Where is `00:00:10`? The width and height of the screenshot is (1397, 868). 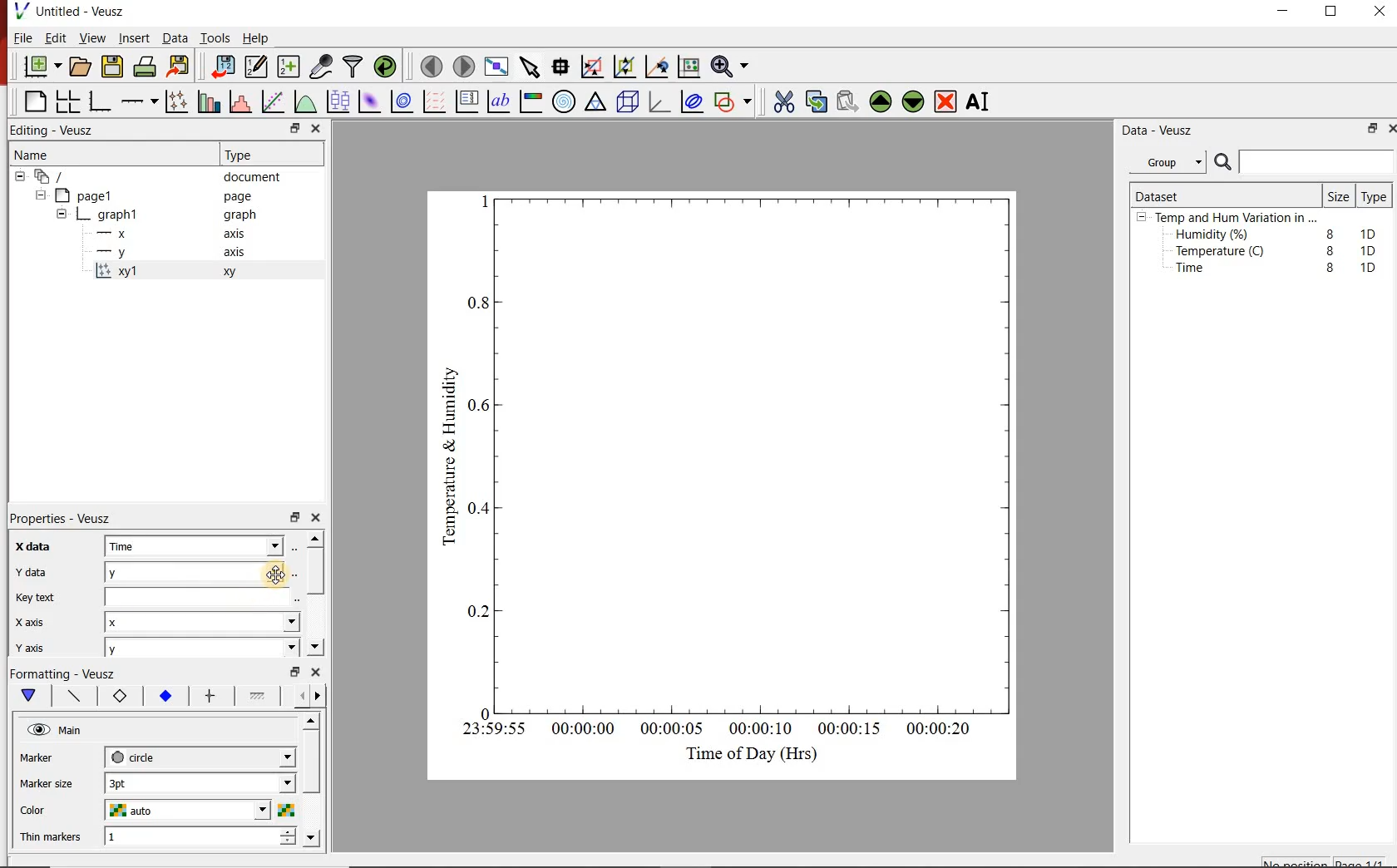
00:00:10 is located at coordinates (759, 727).